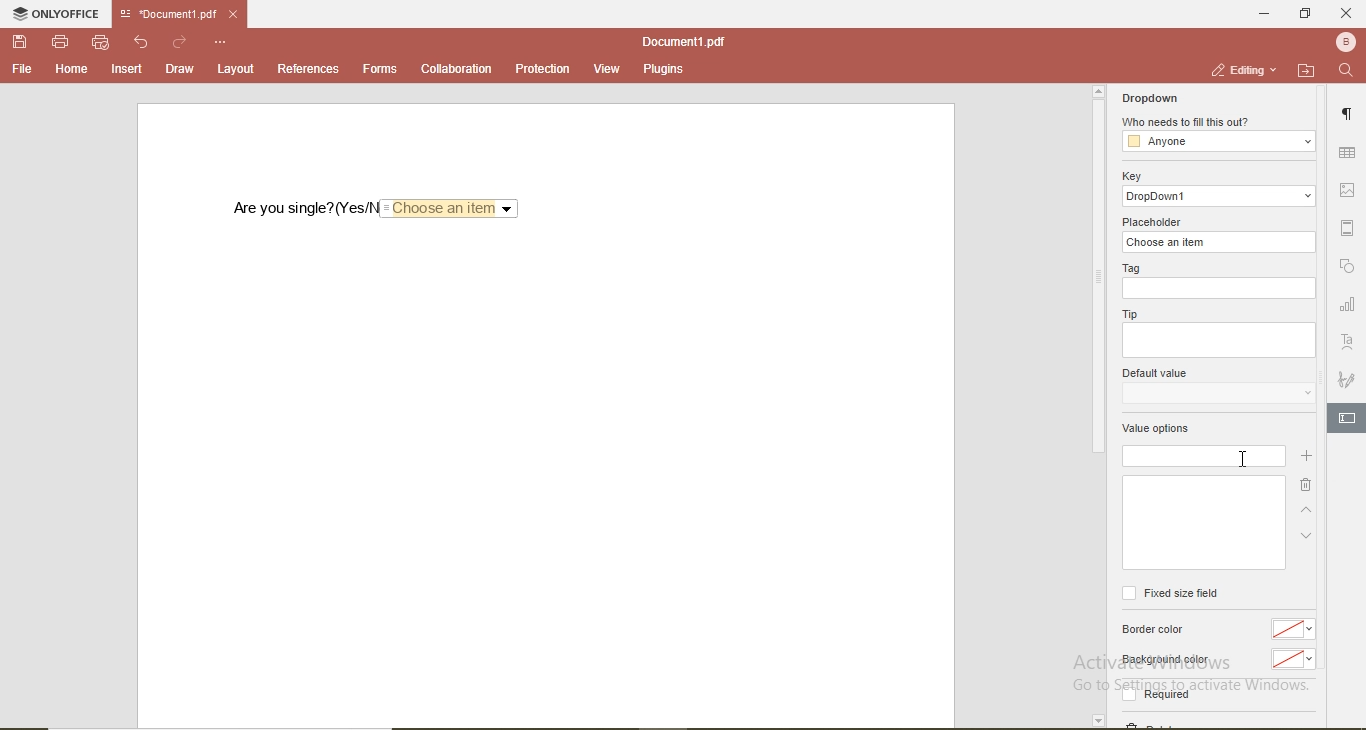 This screenshot has height=730, width=1366. What do you see at coordinates (1350, 109) in the screenshot?
I see `paragraph` at bounding box center [1350, 109].